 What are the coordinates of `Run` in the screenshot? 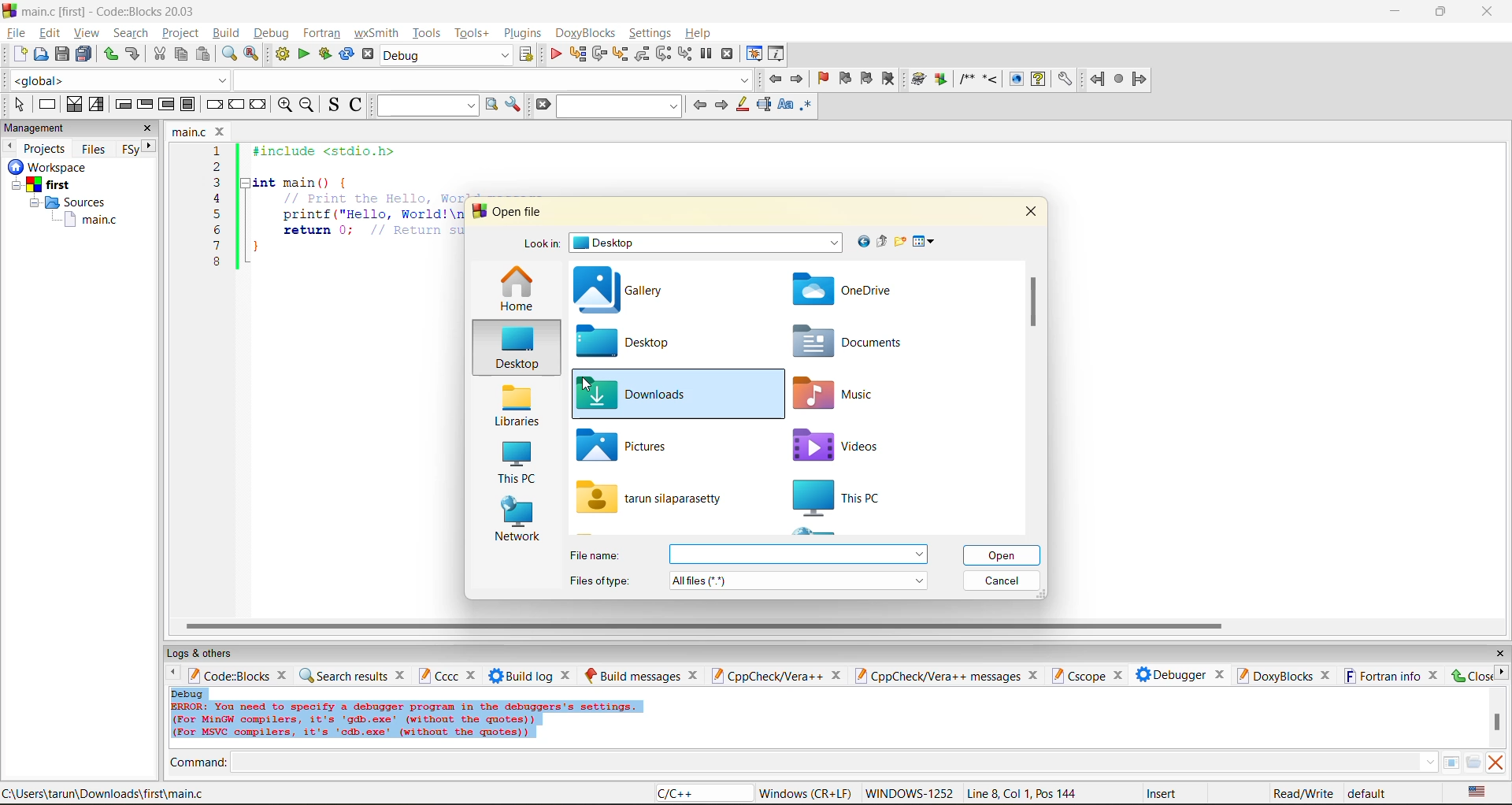 It's located at (941, 79).